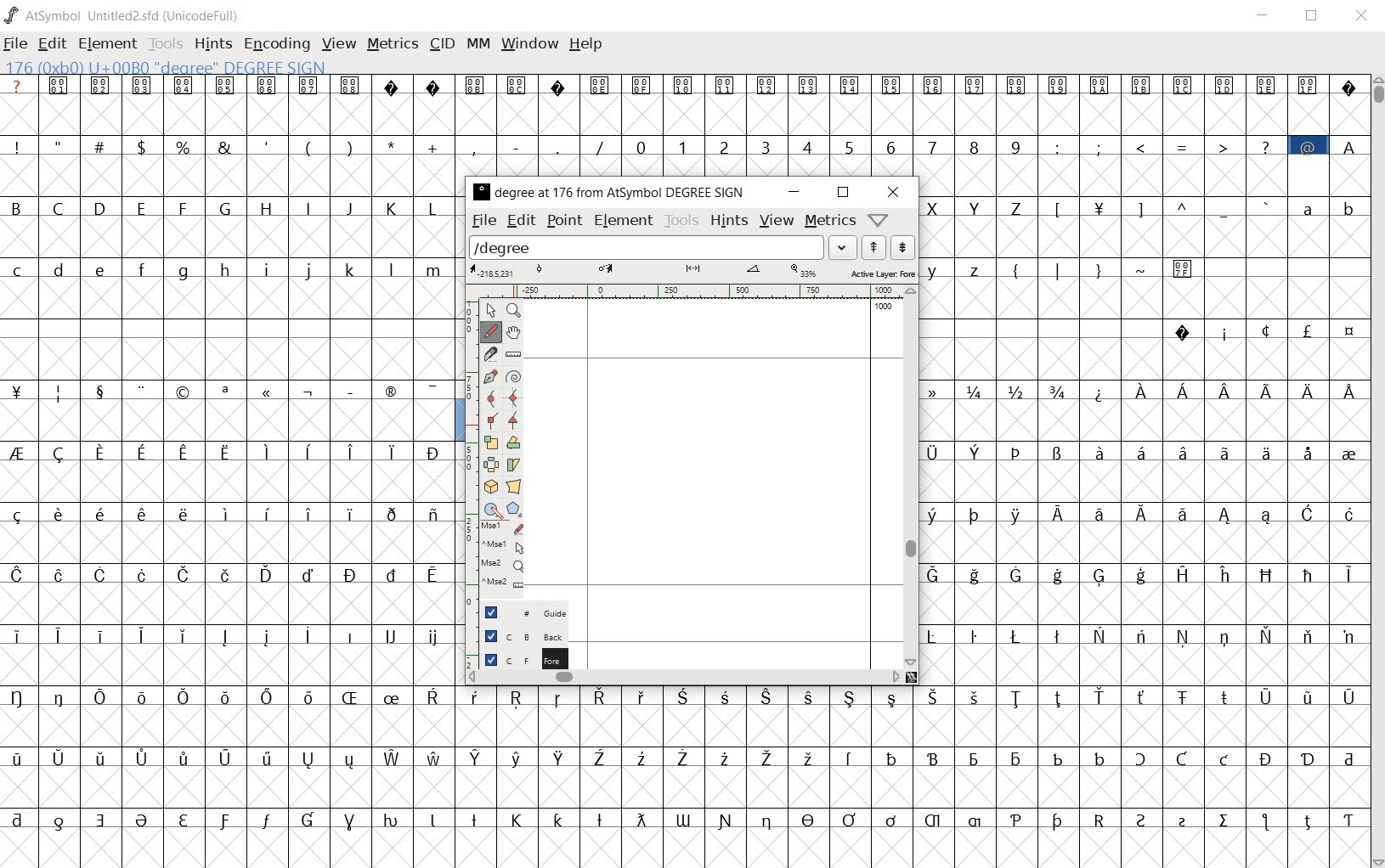  I want to click on mse1 mse1 mse2 mse2, so click(496, 560).